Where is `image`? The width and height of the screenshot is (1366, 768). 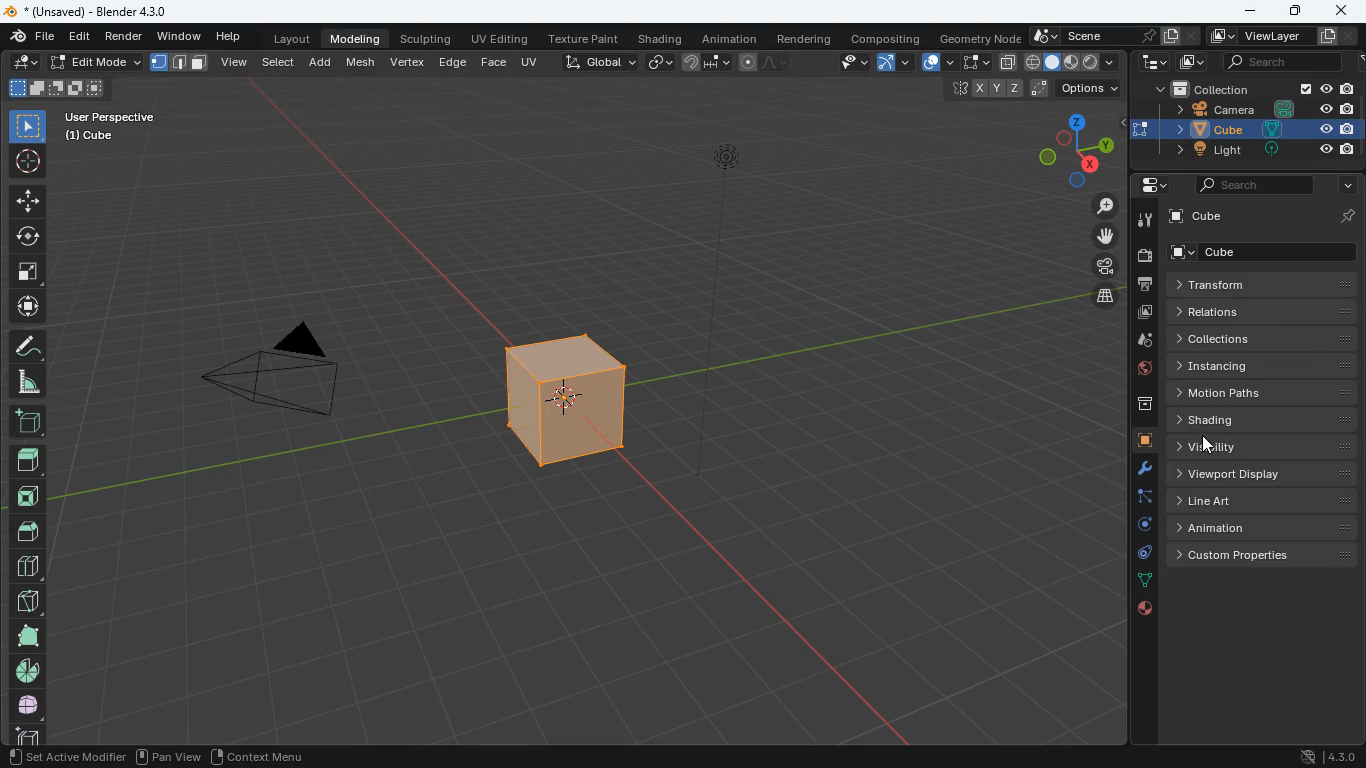 image is located at coordinates (1195, 62).